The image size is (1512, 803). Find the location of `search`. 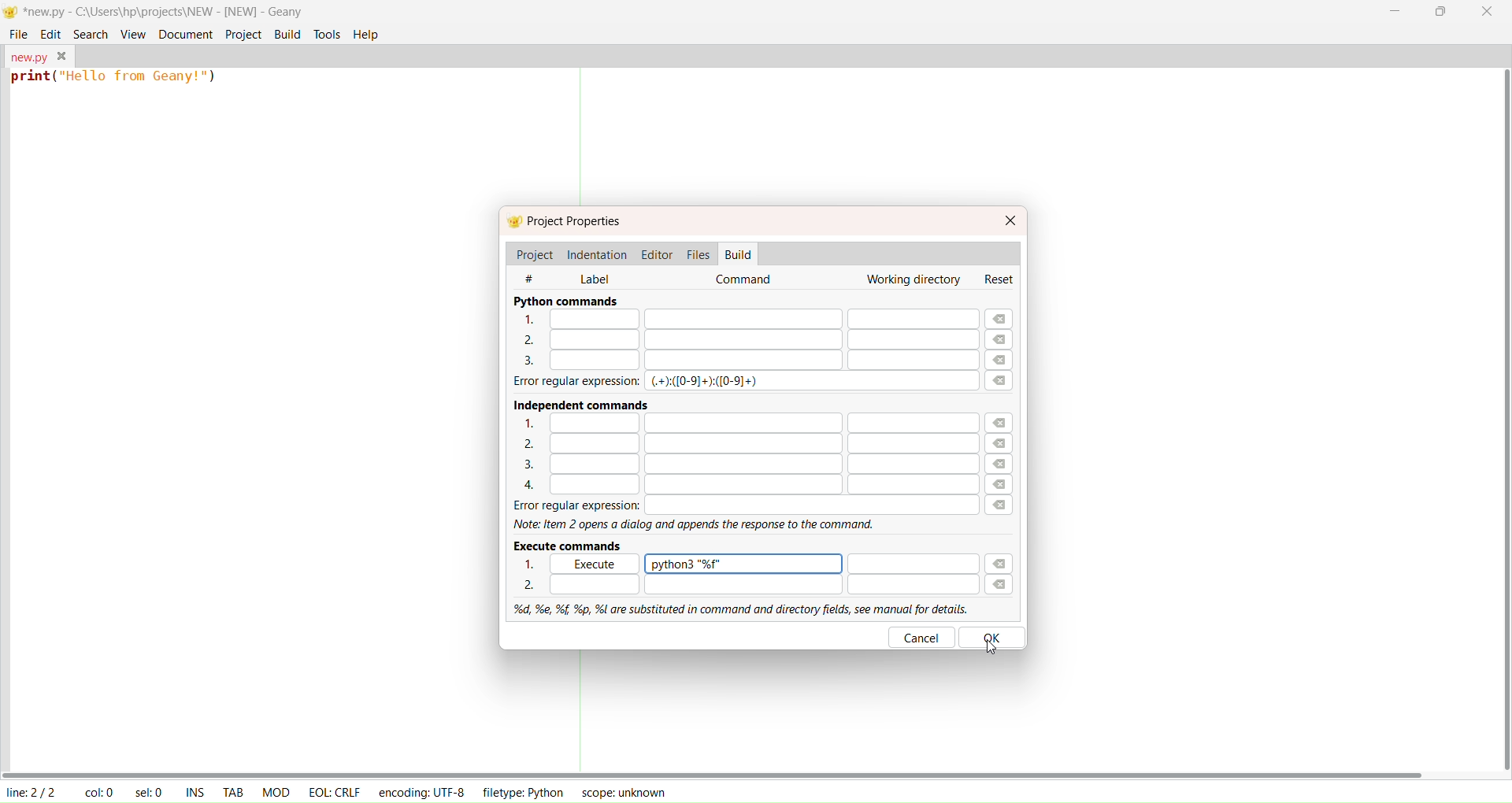

search is located at coordinates (87, 32).